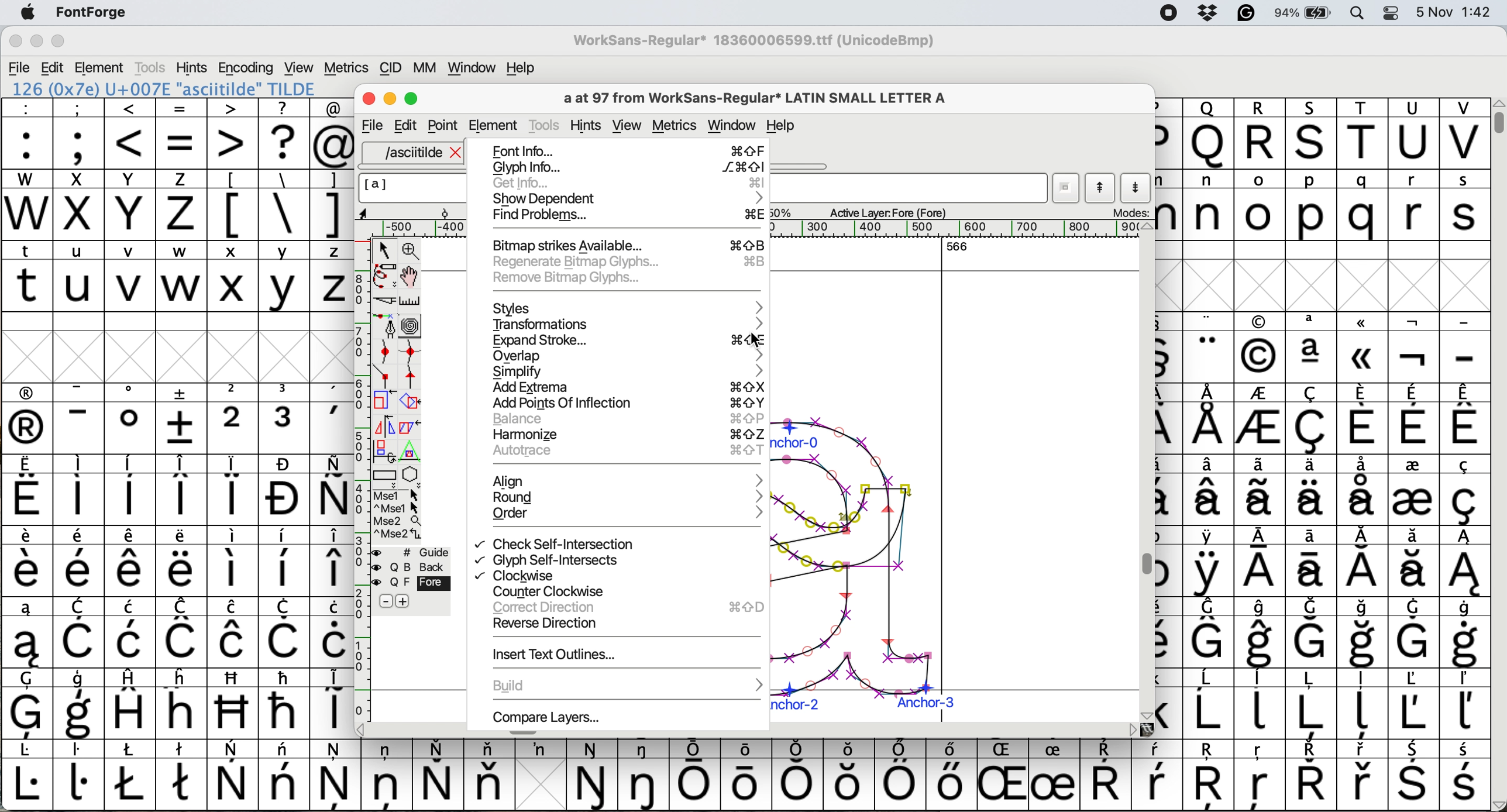 This screenshot has width=1507, height=812. Describe the element at coordinates (234, 703) in the screenshot. I see `` at that location.